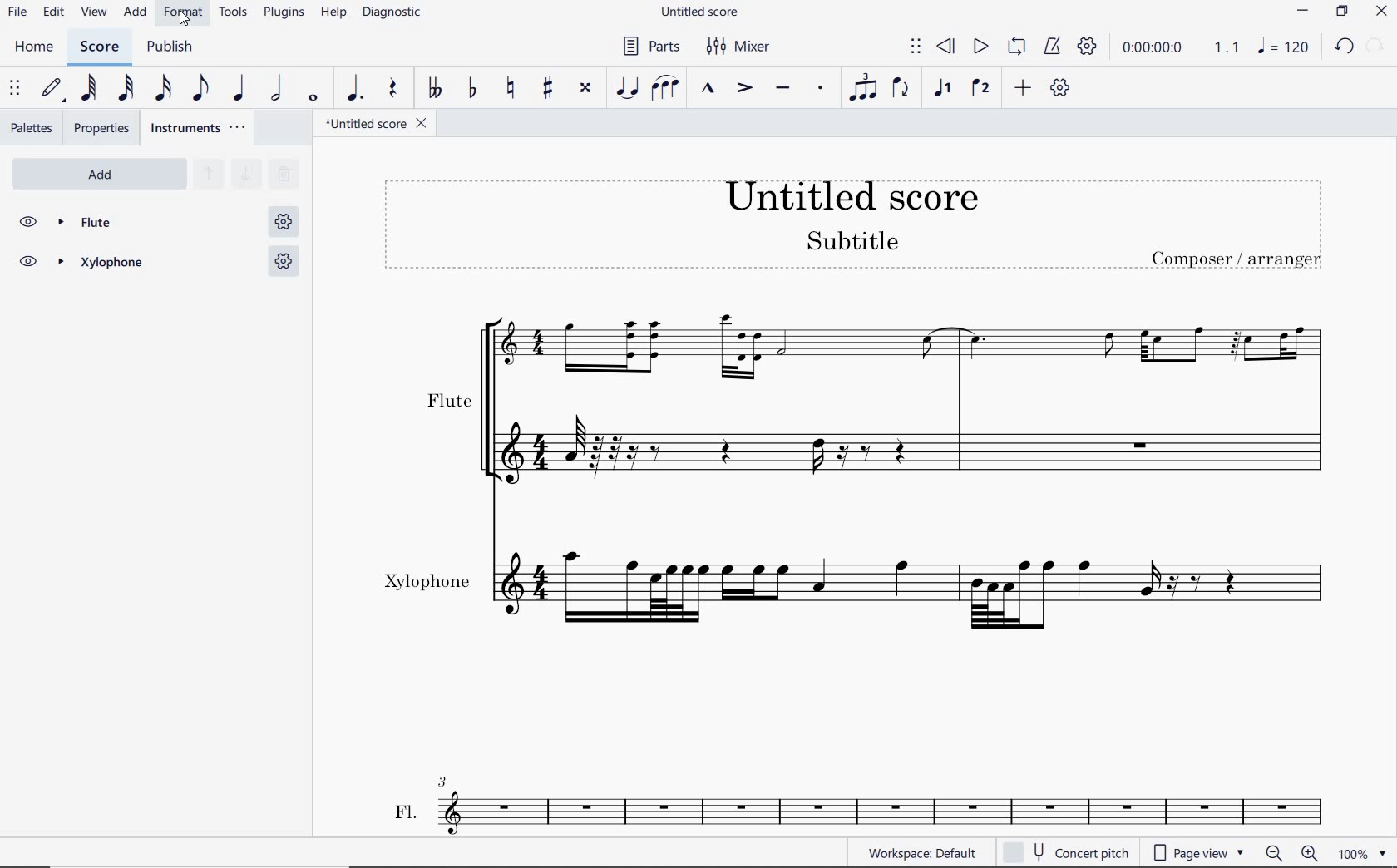 The height and width of the screenshot is (868, 1397). What do you see at coordinates (234, 13) in the screenshot?
I see `TOOLS` at bounding box center [234, 13].